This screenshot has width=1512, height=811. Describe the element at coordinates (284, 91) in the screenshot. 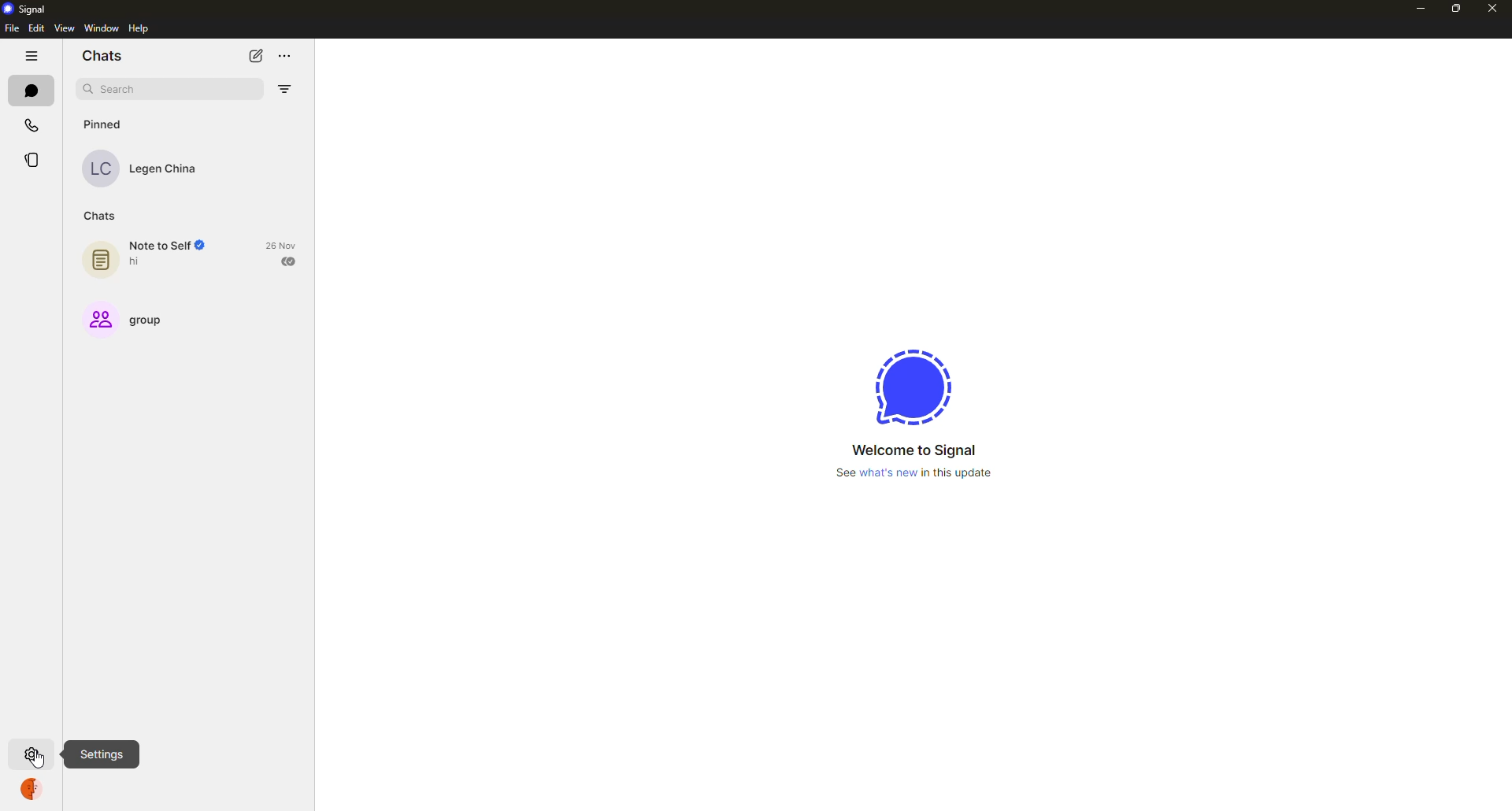

I see `filter` at that location.